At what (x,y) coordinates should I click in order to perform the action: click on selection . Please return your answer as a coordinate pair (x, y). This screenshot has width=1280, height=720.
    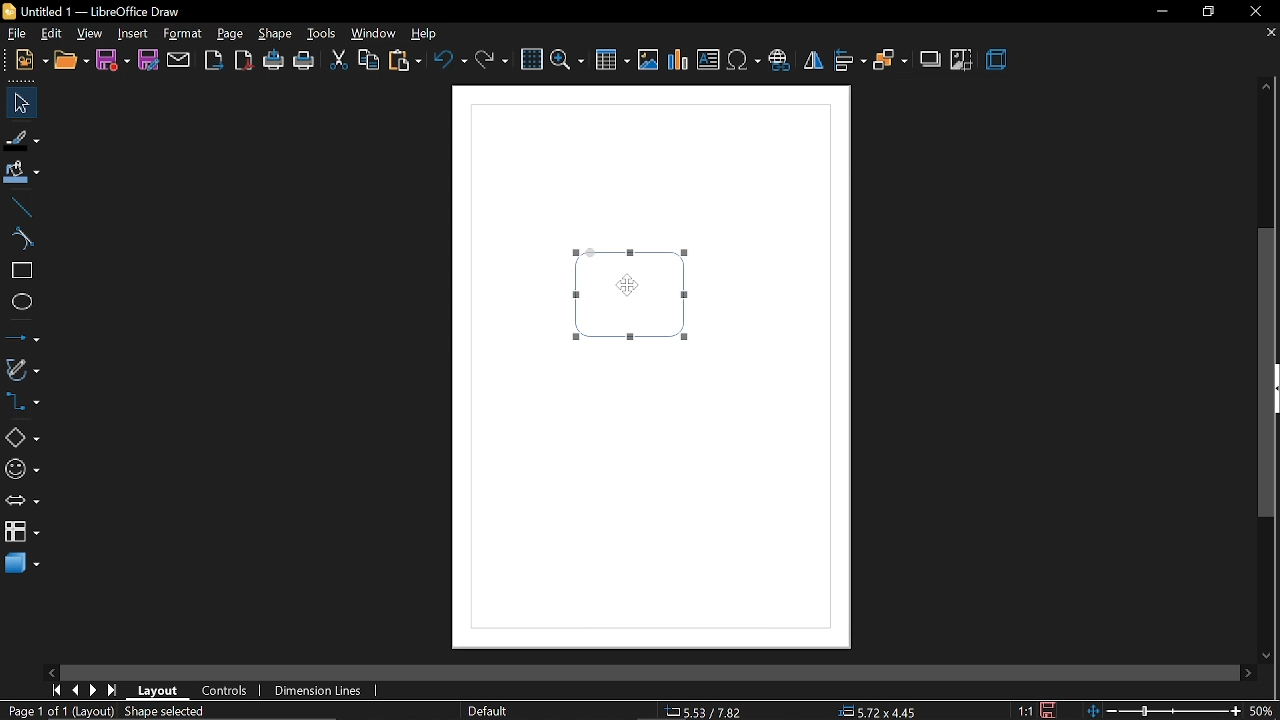
    Looking at the image, I should click on (172, 713).